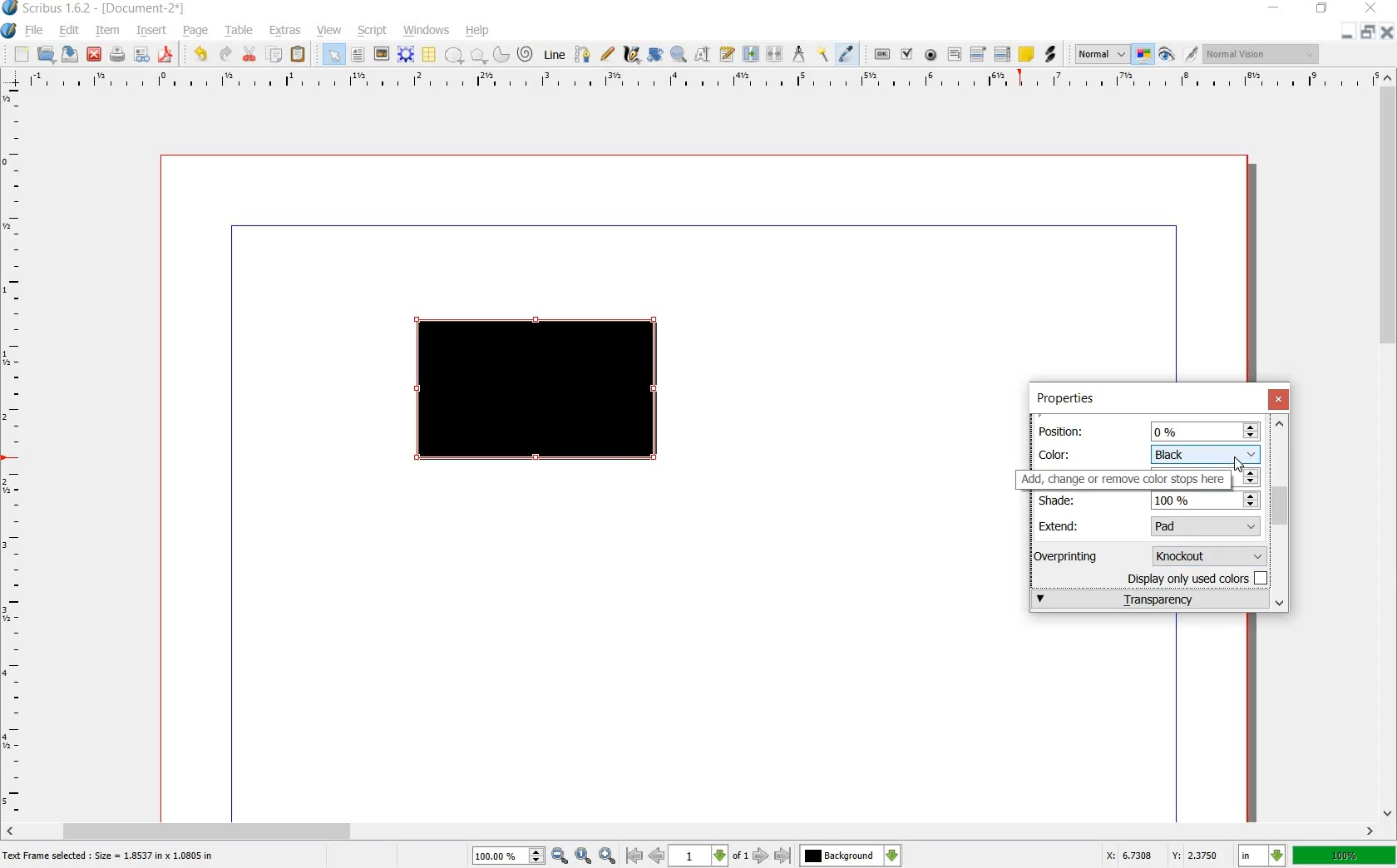  I want to click on select item, so click(333, 54).